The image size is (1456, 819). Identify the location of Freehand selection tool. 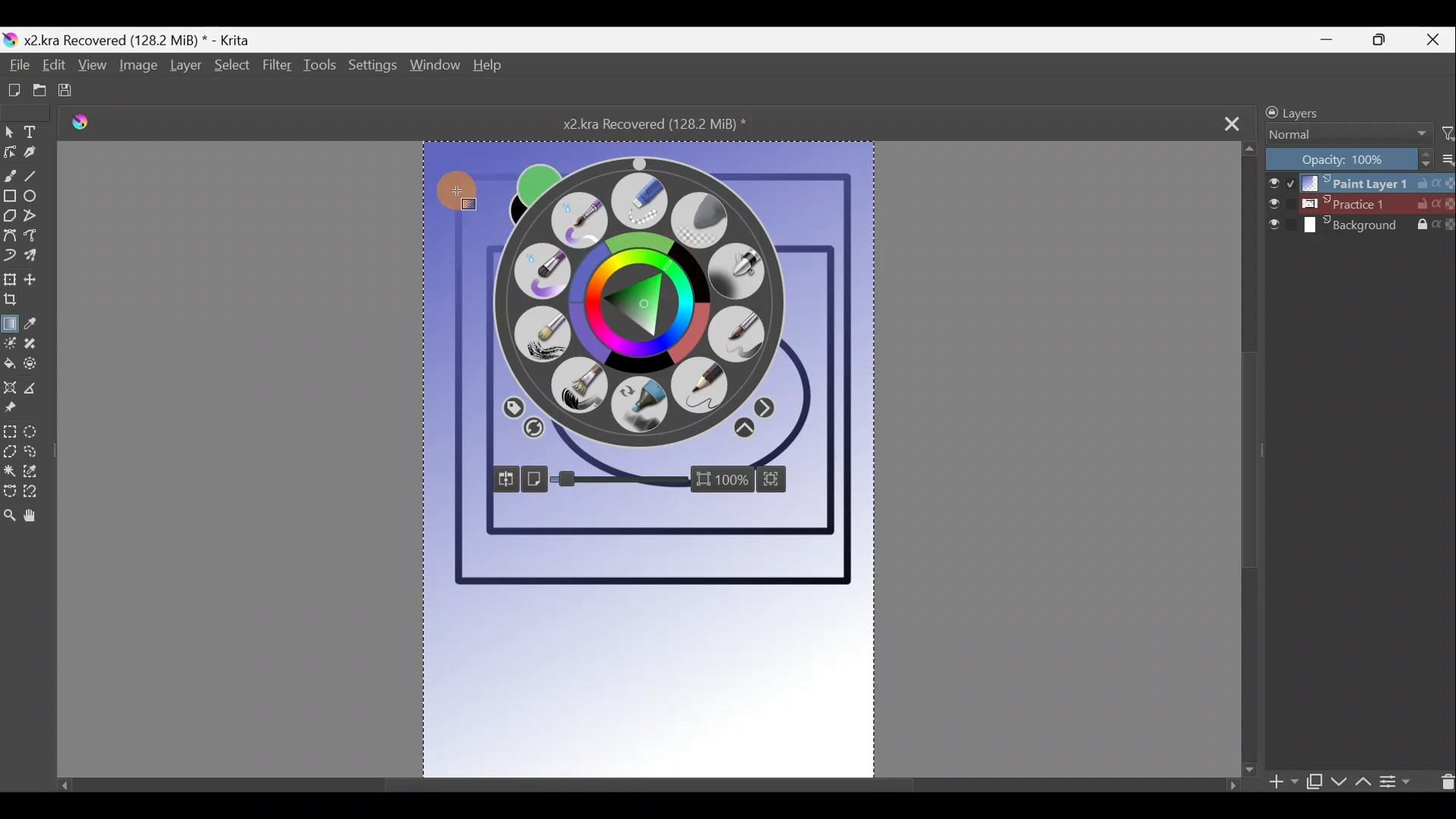
(38, 454).